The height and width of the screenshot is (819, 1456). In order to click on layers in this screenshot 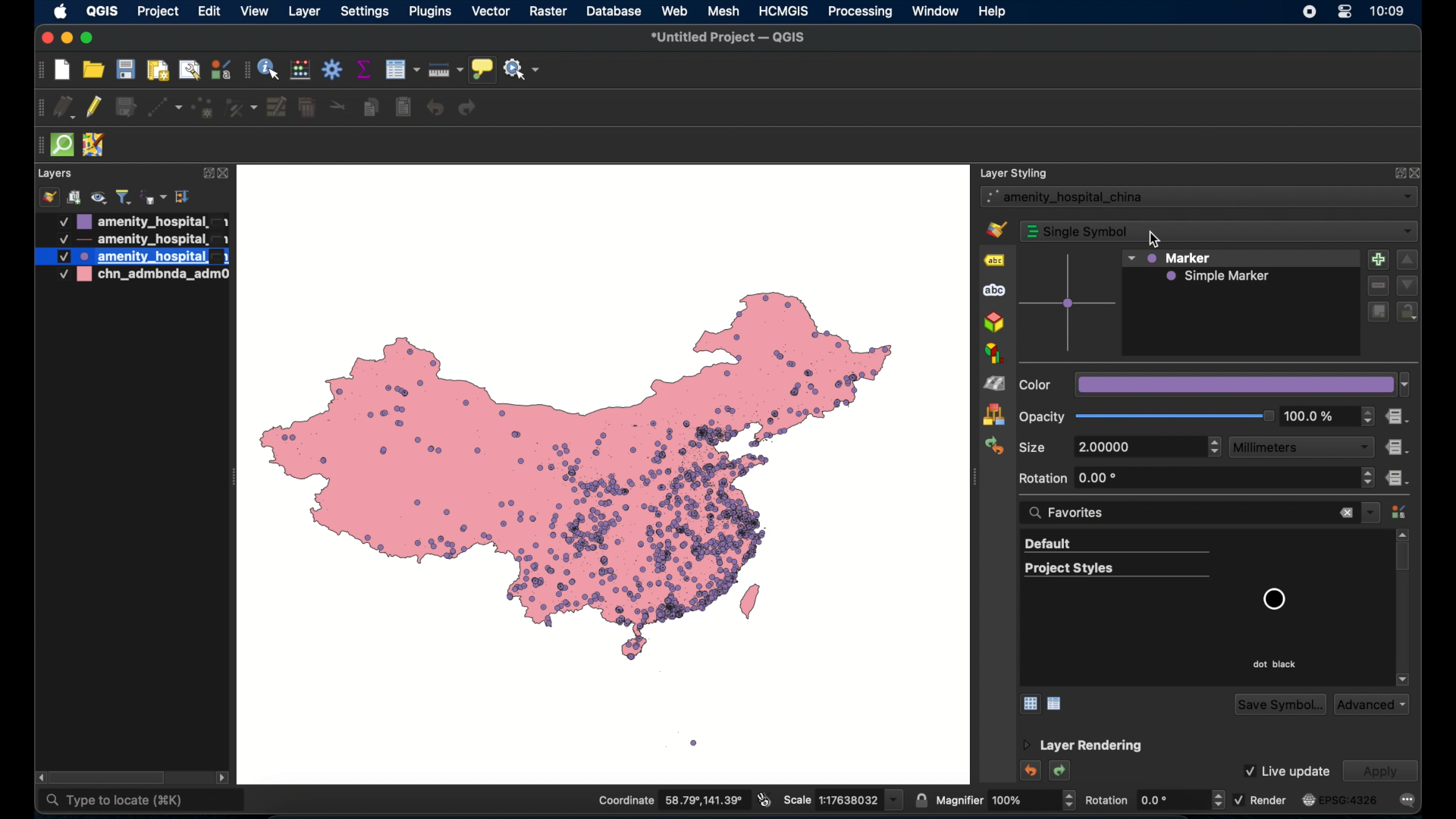, I will do `click(56, 173)`.